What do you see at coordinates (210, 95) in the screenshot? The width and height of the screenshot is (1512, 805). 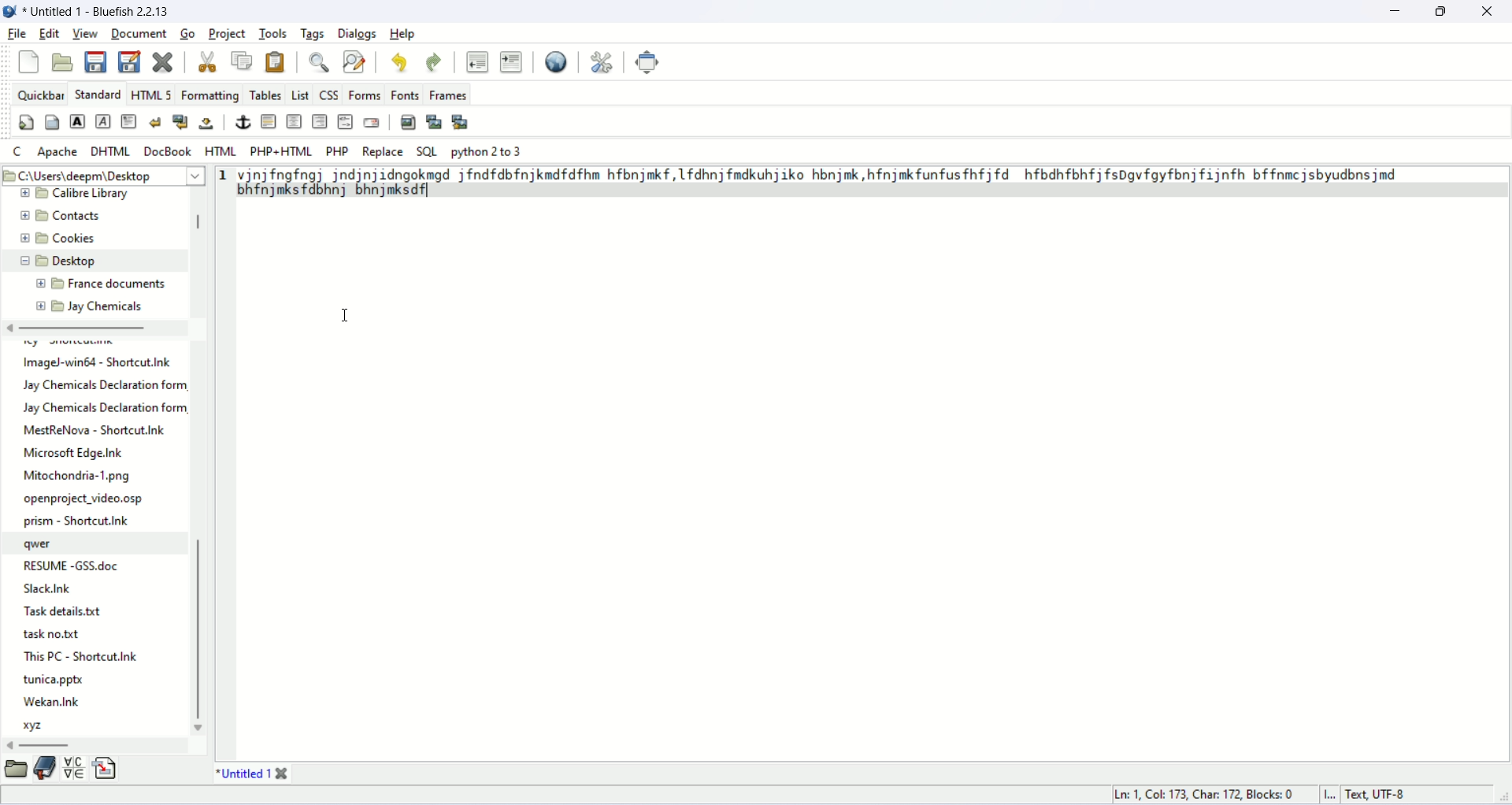 I see `formatting` at bounding box center [210, 95].